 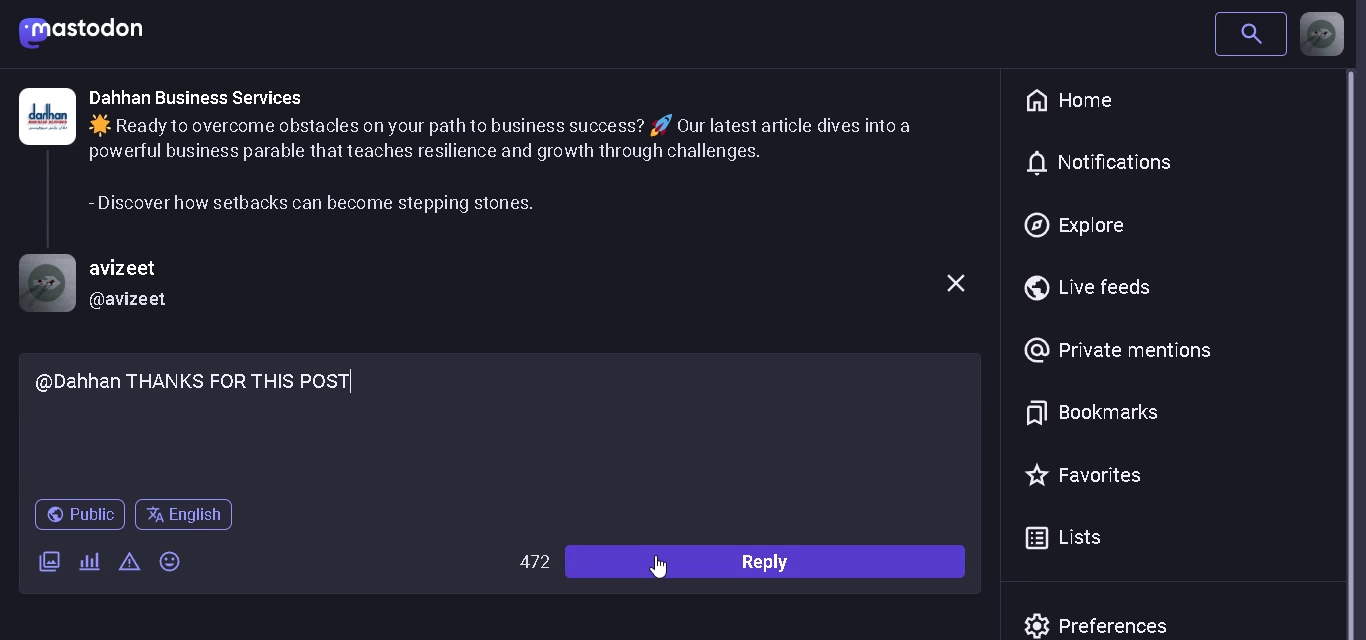 What do you see at coordinates (135, 270) in the screenshot?
I see `username` at bounding box center [135, 270].